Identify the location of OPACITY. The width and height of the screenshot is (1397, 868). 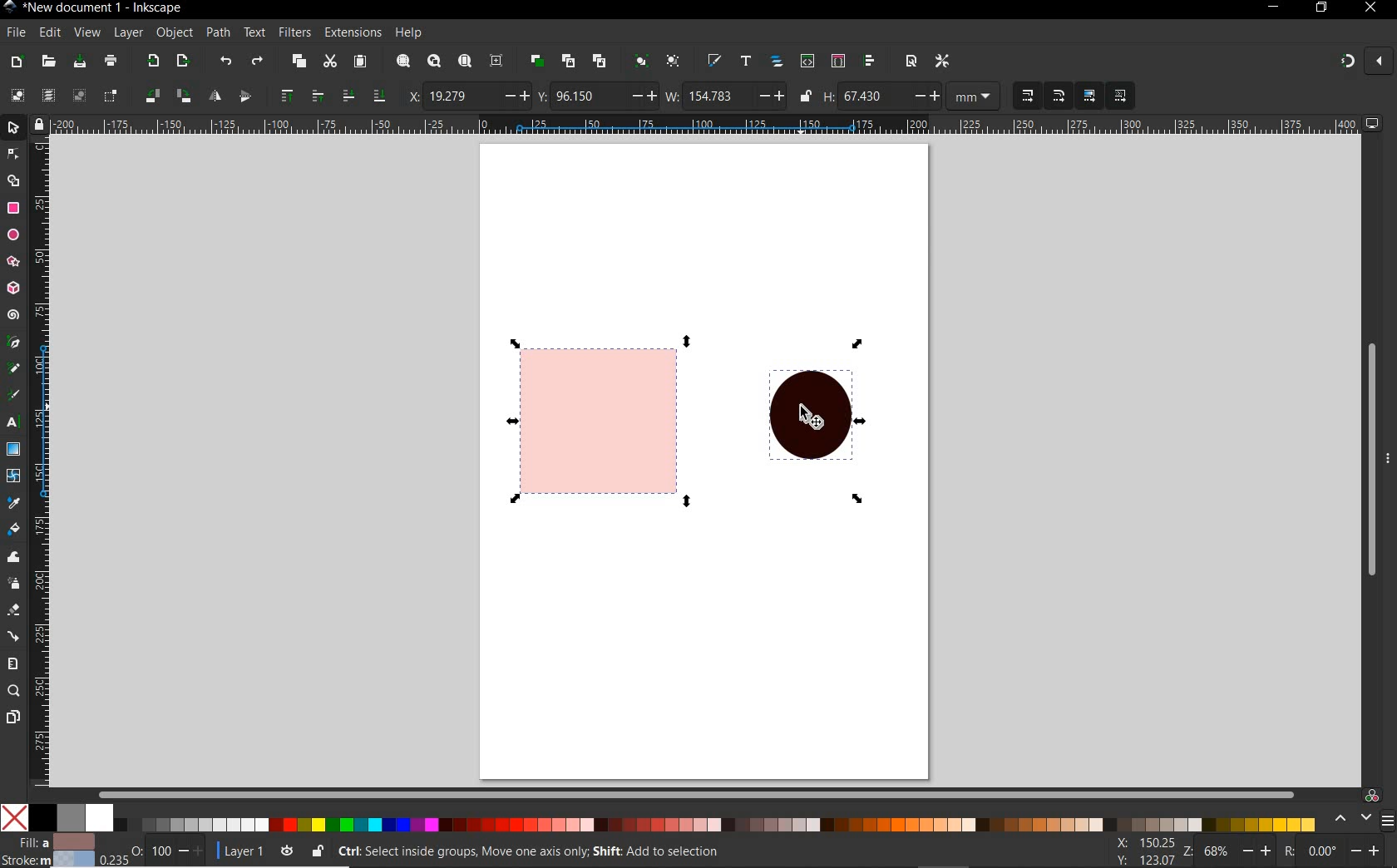
(151, 850).